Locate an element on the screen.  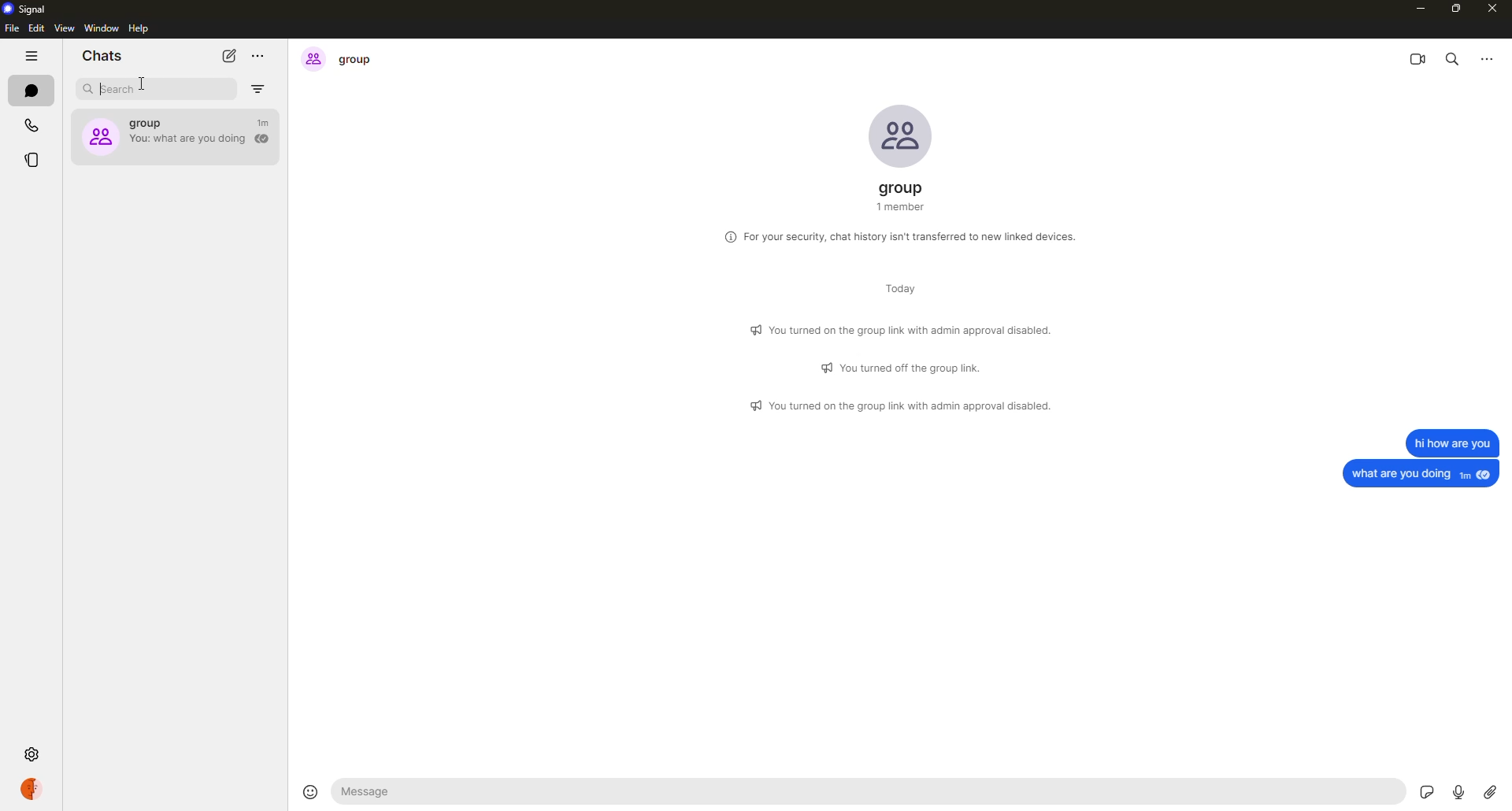
info is located at coordinates (905, 367).